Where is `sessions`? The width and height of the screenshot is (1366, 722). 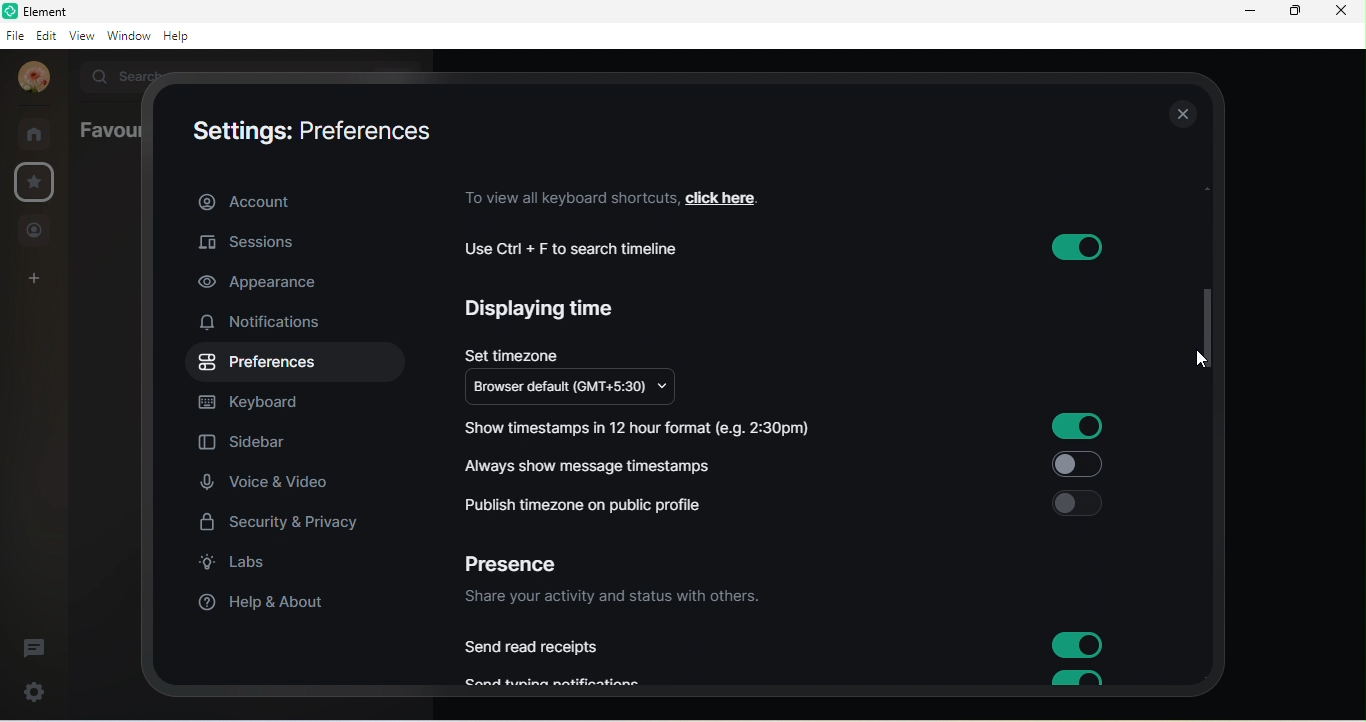 sessions is located at coordinates (271, 241).